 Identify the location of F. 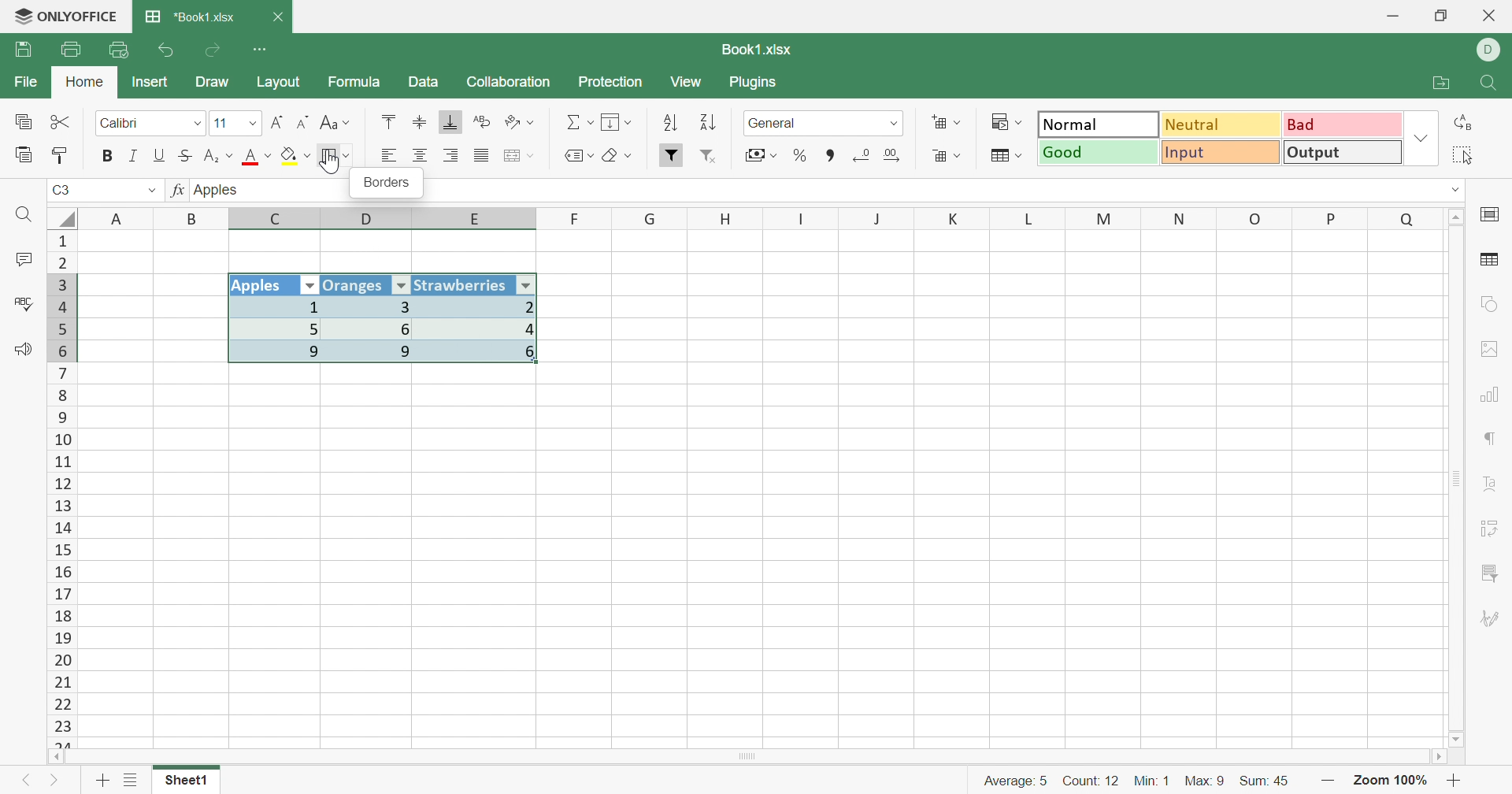
(576, 218).